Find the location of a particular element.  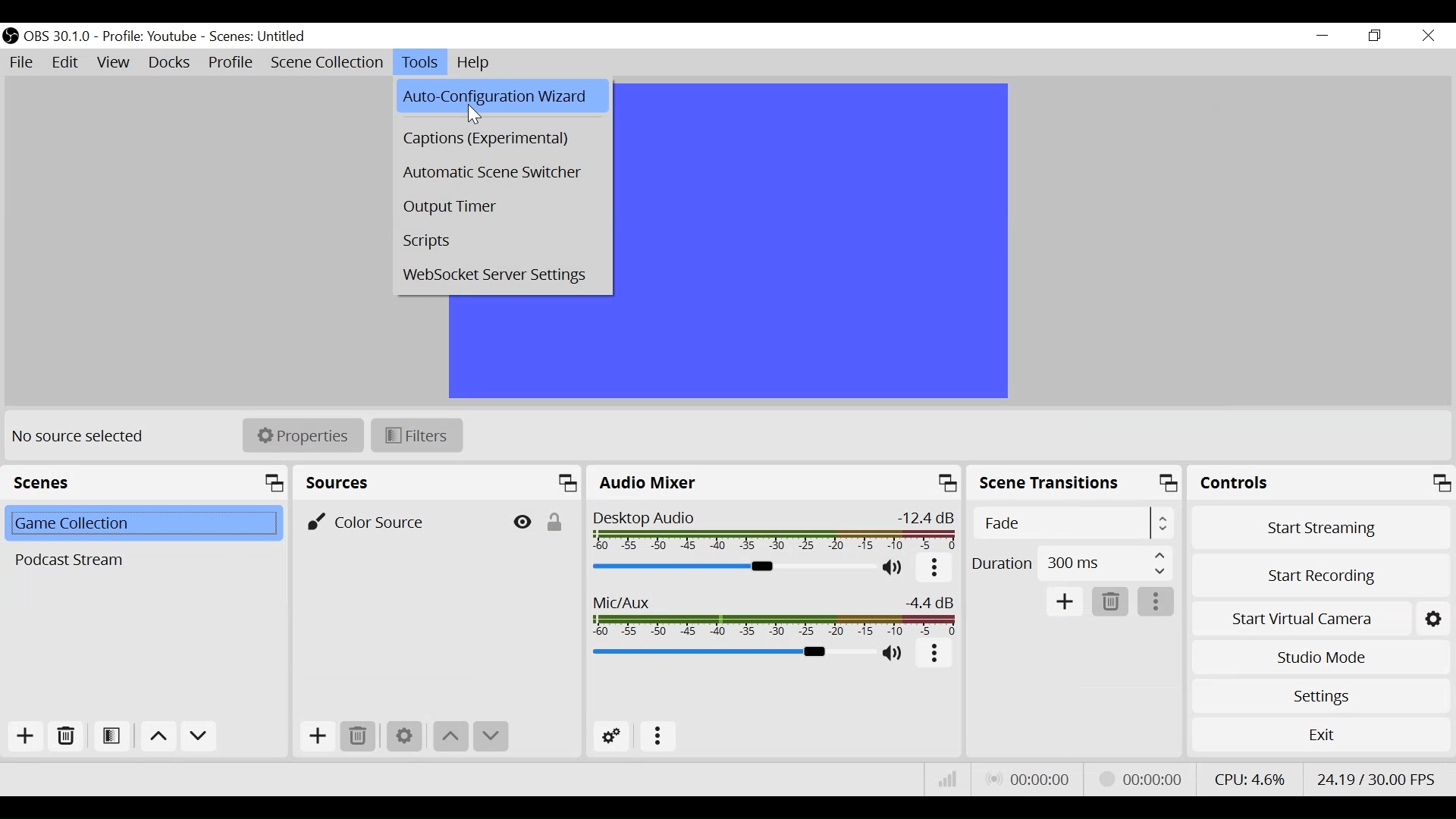

Automatic Scene Switcher is located at coordinates (499, 170).